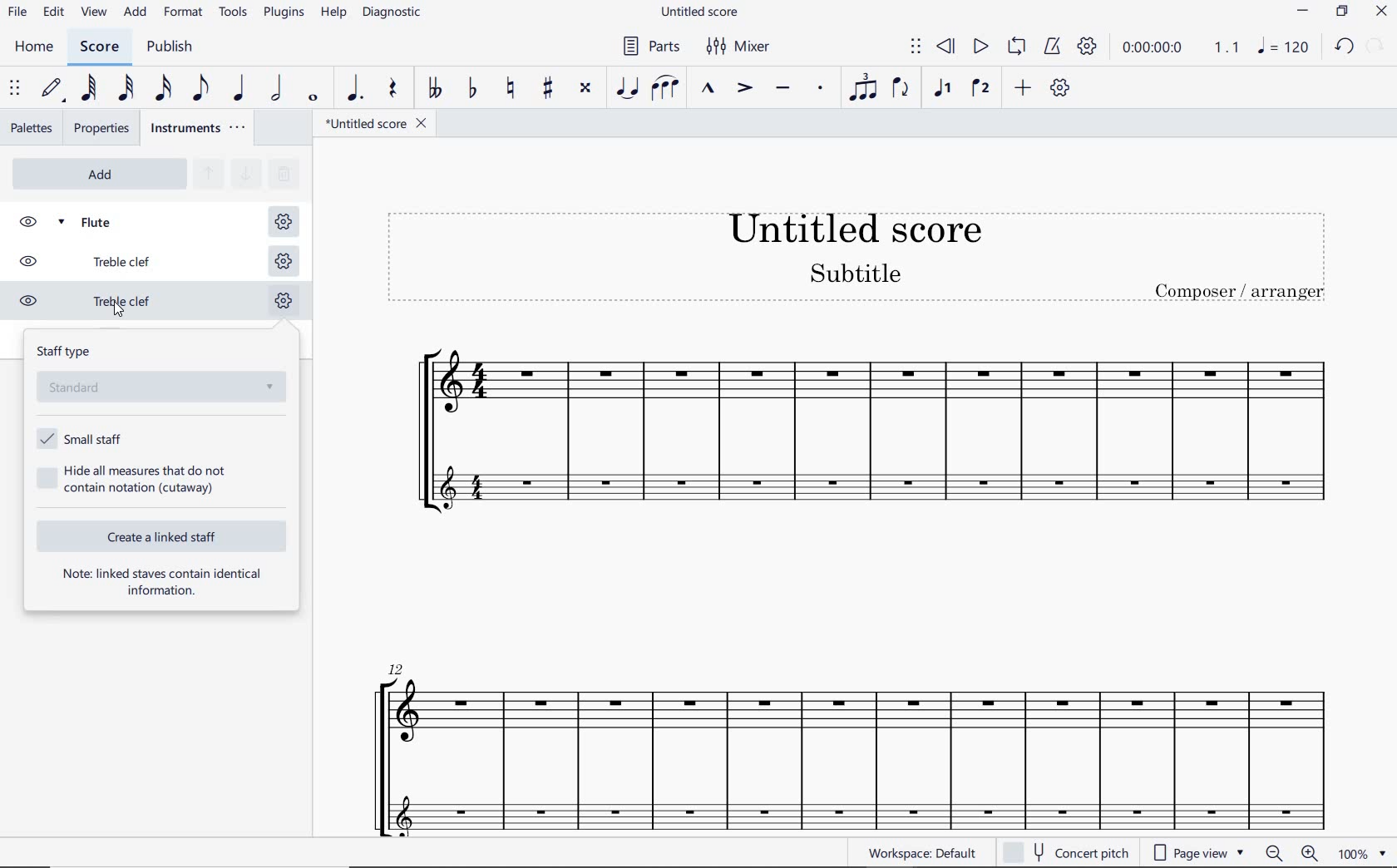  I want to click on METRONOME, so click(1054, 47).